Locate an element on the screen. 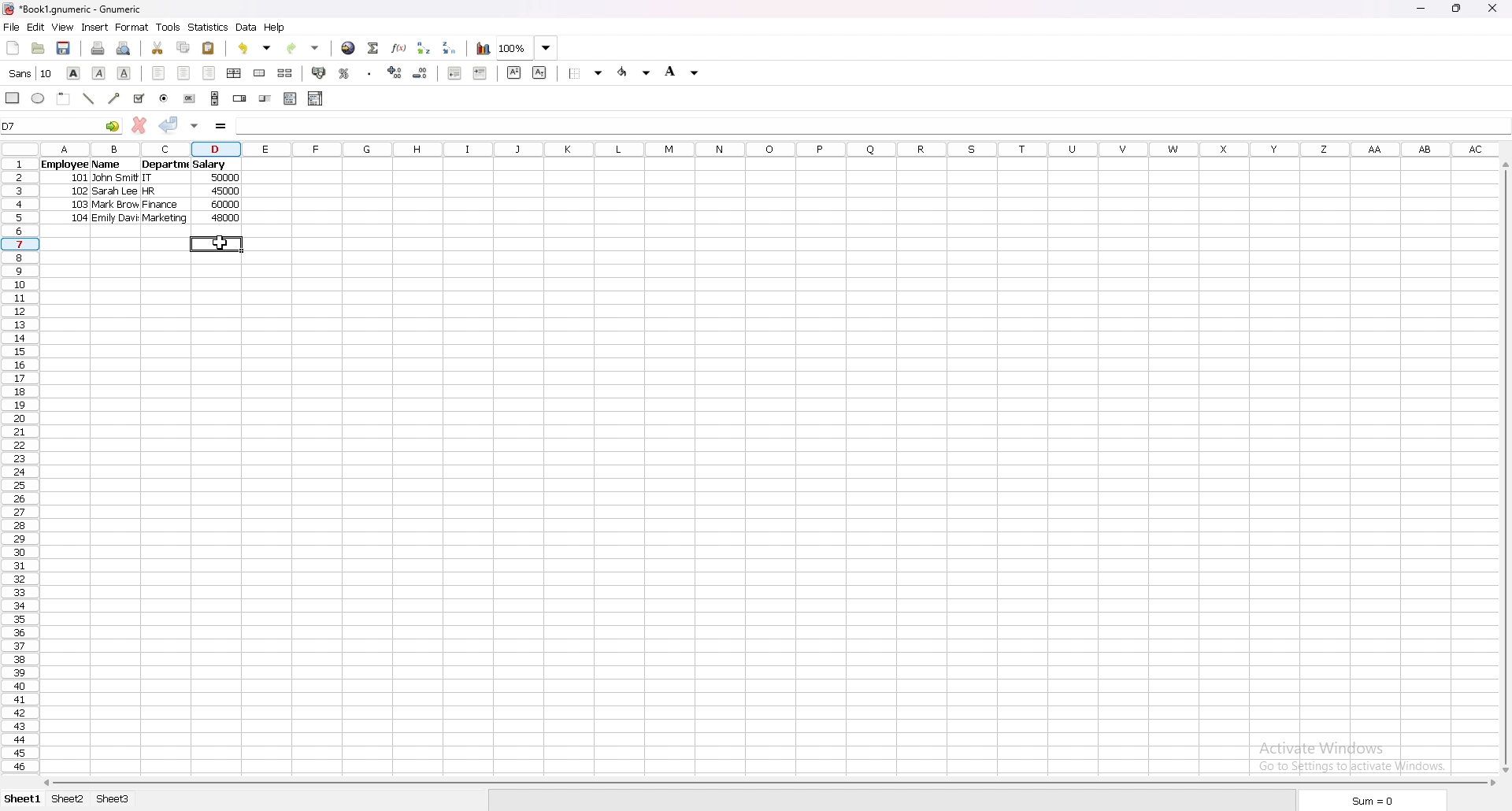 This screenshot has width=1512, height=811. 45000 is located at coordinates (224, 192).